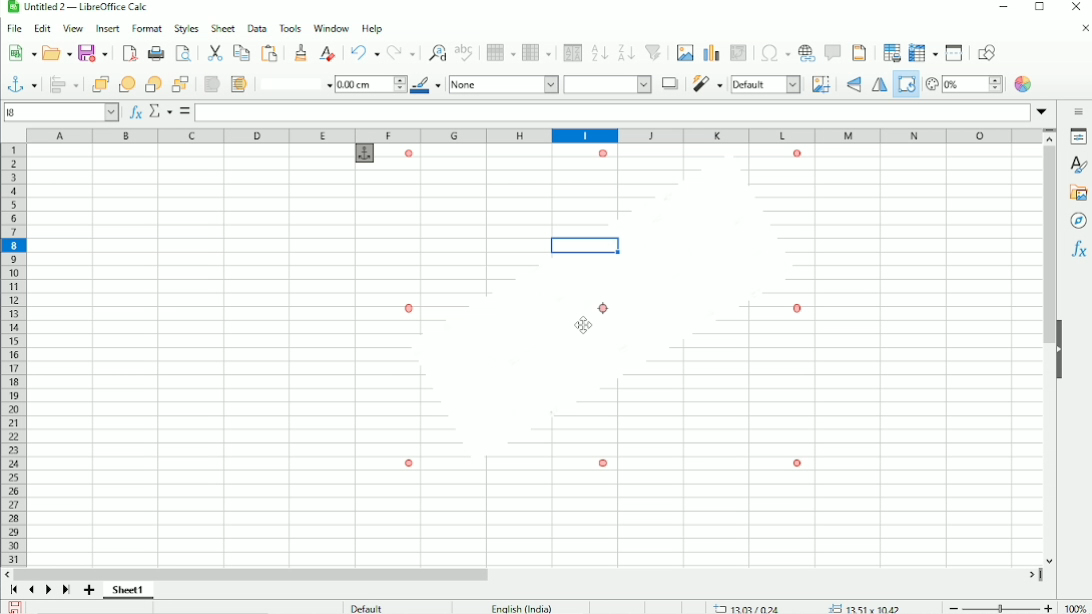 The width and height of the screenshot is (1092, 614). Describe the element at coordinates (1078, 165) in the screenshot. I see `Styles` at that location.